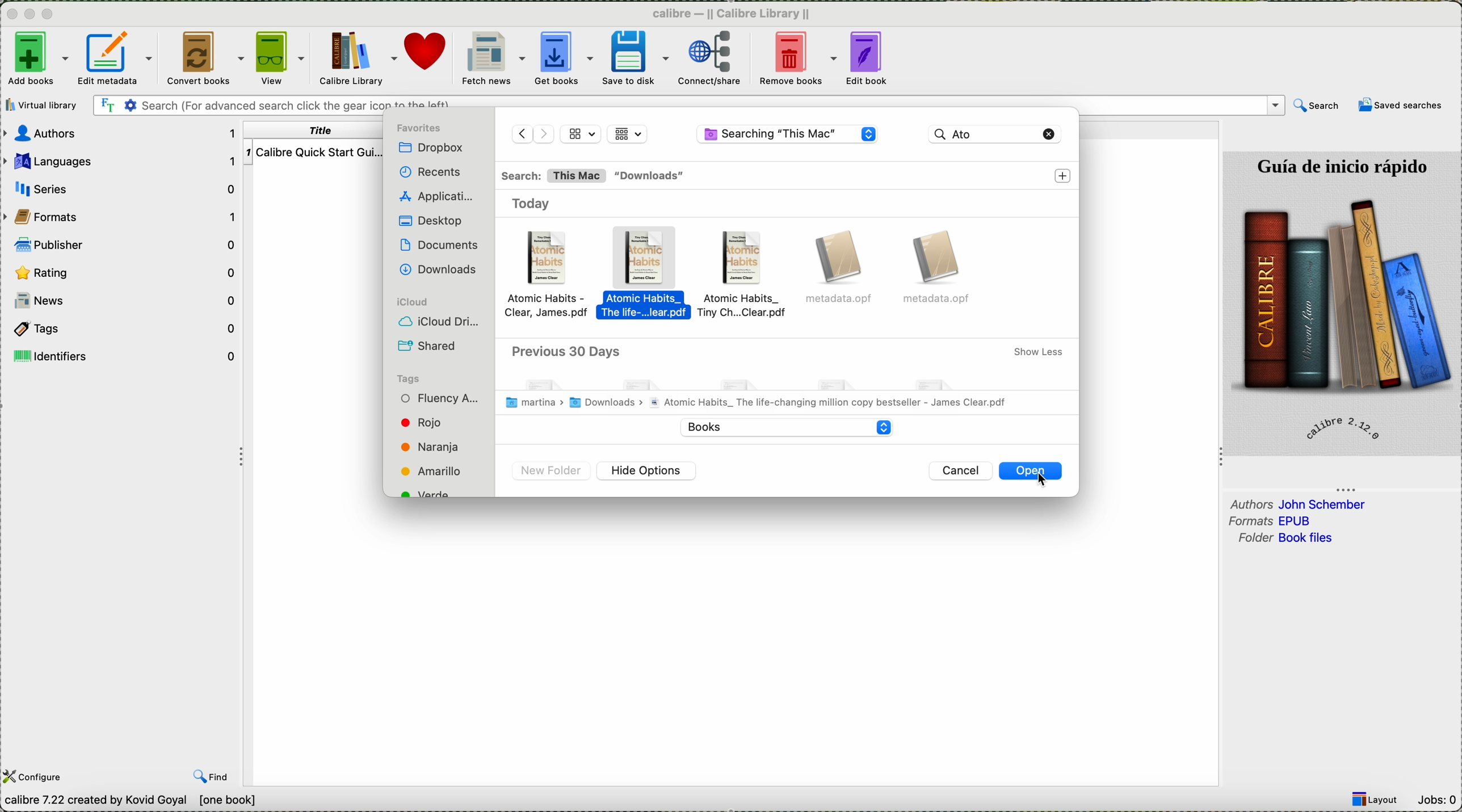 The height and width of the screenshot is (812, 1462). Describe the element at coordinates (866, 57) in the screenshot. I see `edit book` at that location.